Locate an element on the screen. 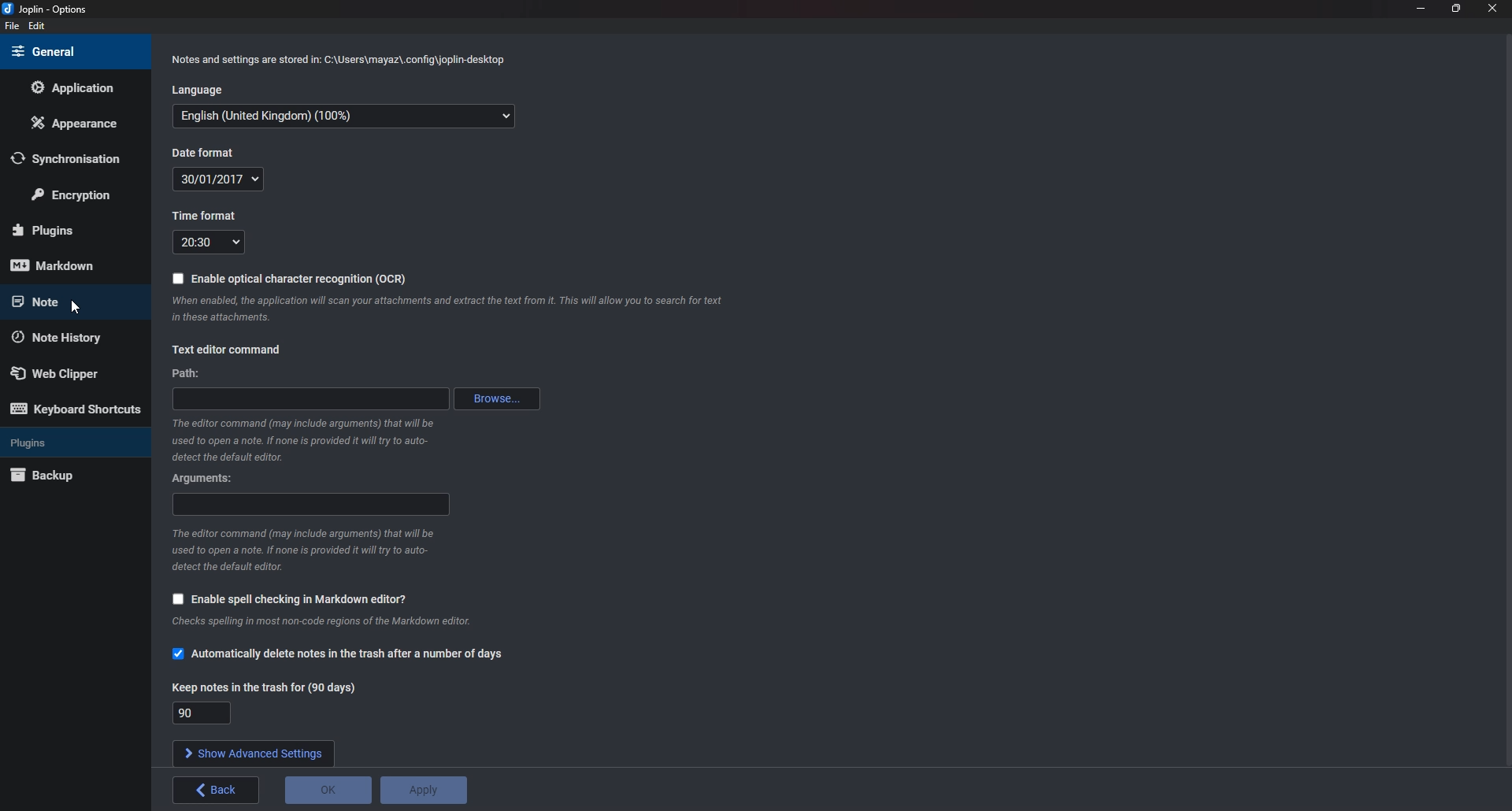 Image resolution: width=1512 pixels, height=811 pixels. Note history is located at coordinates (69, 335).